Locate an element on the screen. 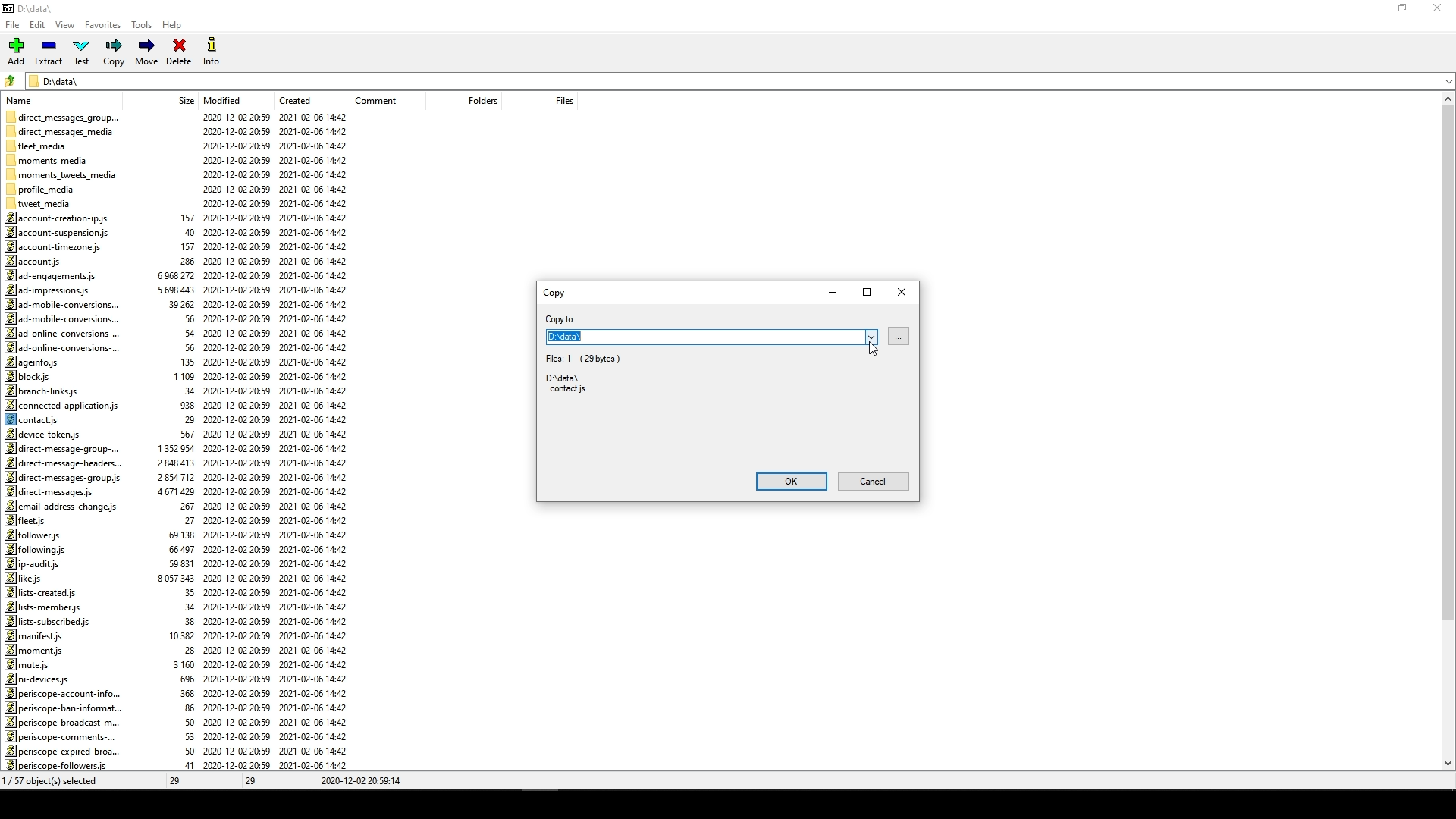 Image resolution: width=1456 pixels, height=819 pixels. folders is located at coordinates (472, 102).